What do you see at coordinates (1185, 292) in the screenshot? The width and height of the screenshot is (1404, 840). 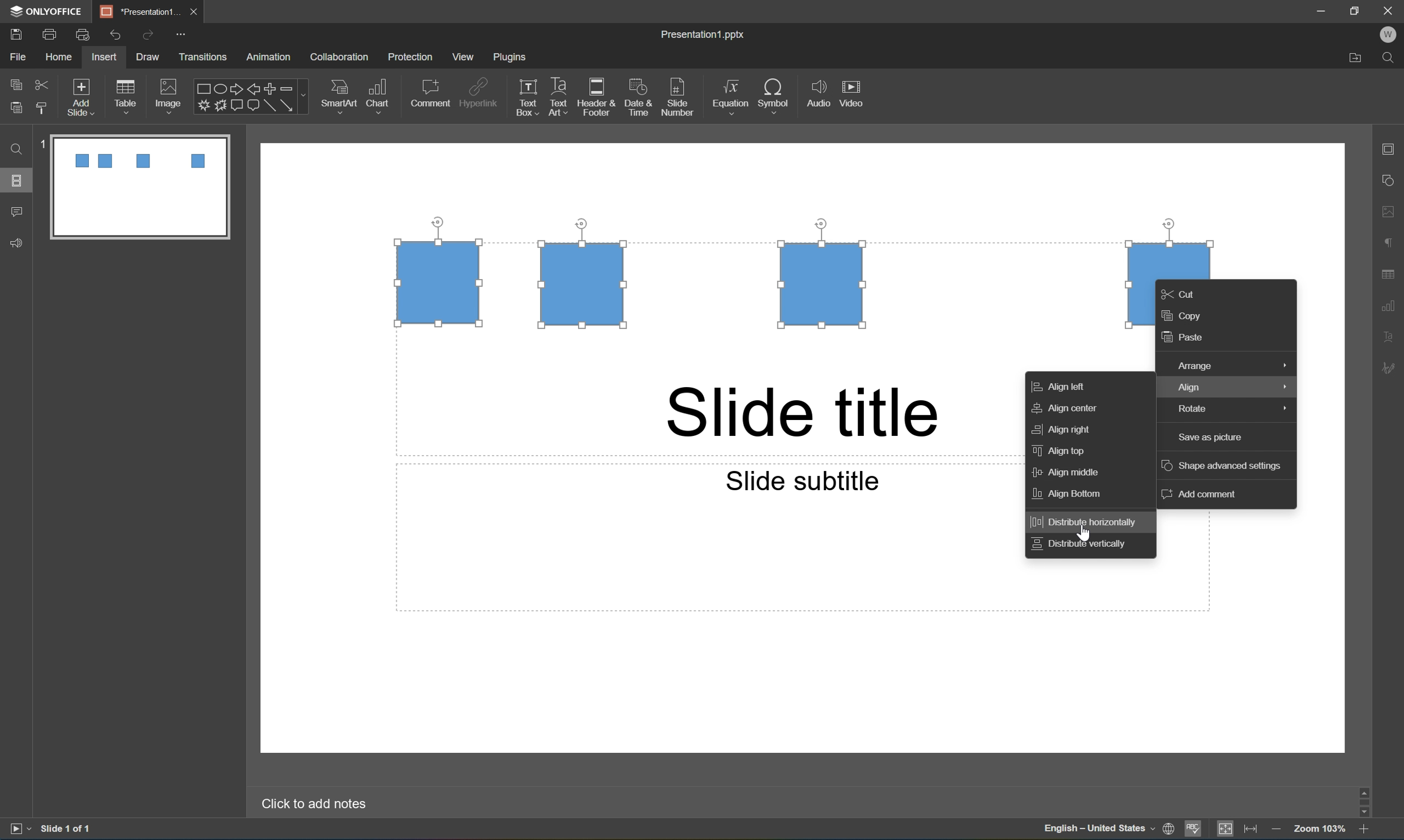 I see `cut` at bounding box center [1185, 292].